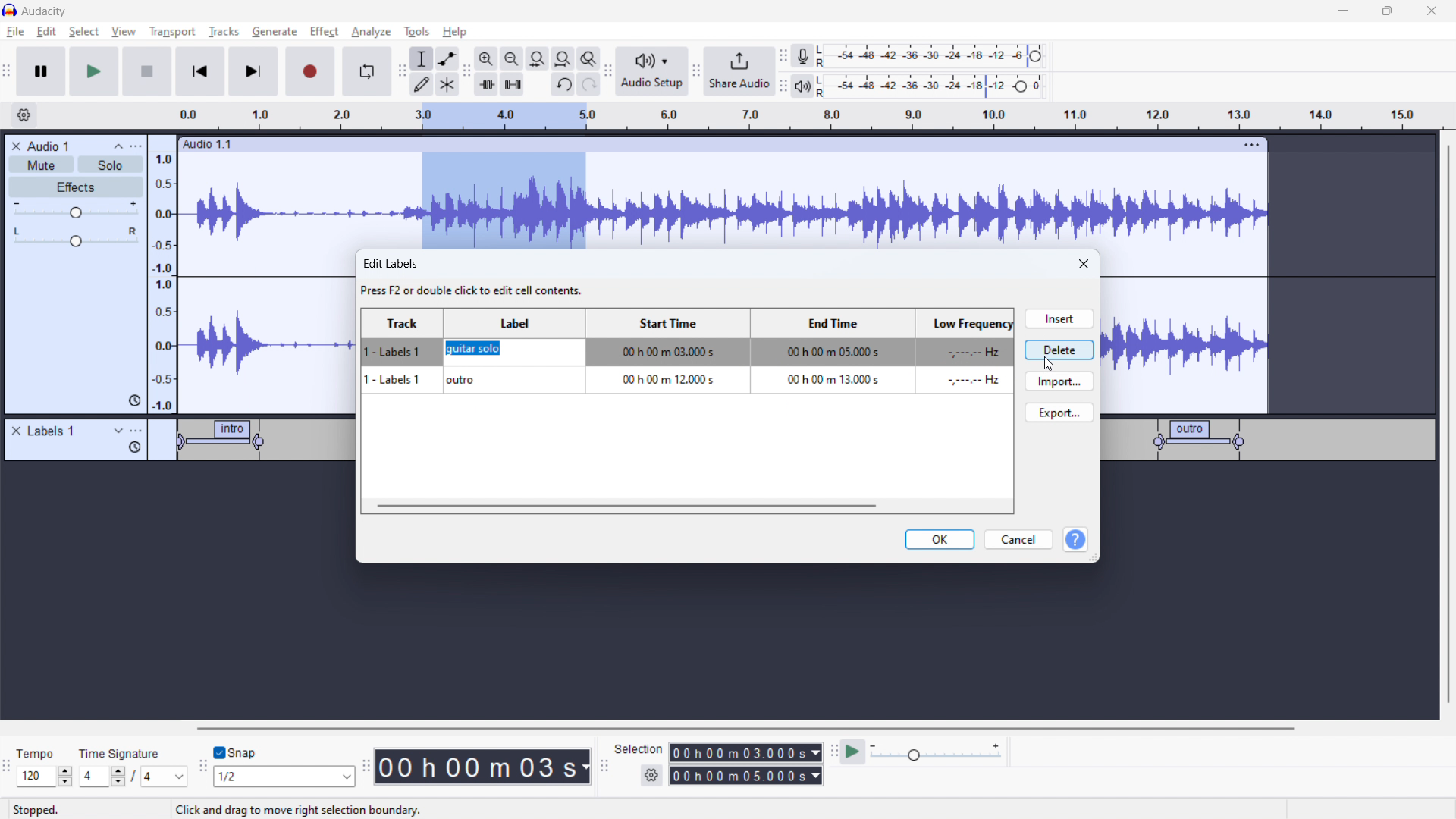 The height and width of the screenshot is (819, 1456). Describe the element at coordinates (41, 165) in the screenshot. I see `mute` at that location.